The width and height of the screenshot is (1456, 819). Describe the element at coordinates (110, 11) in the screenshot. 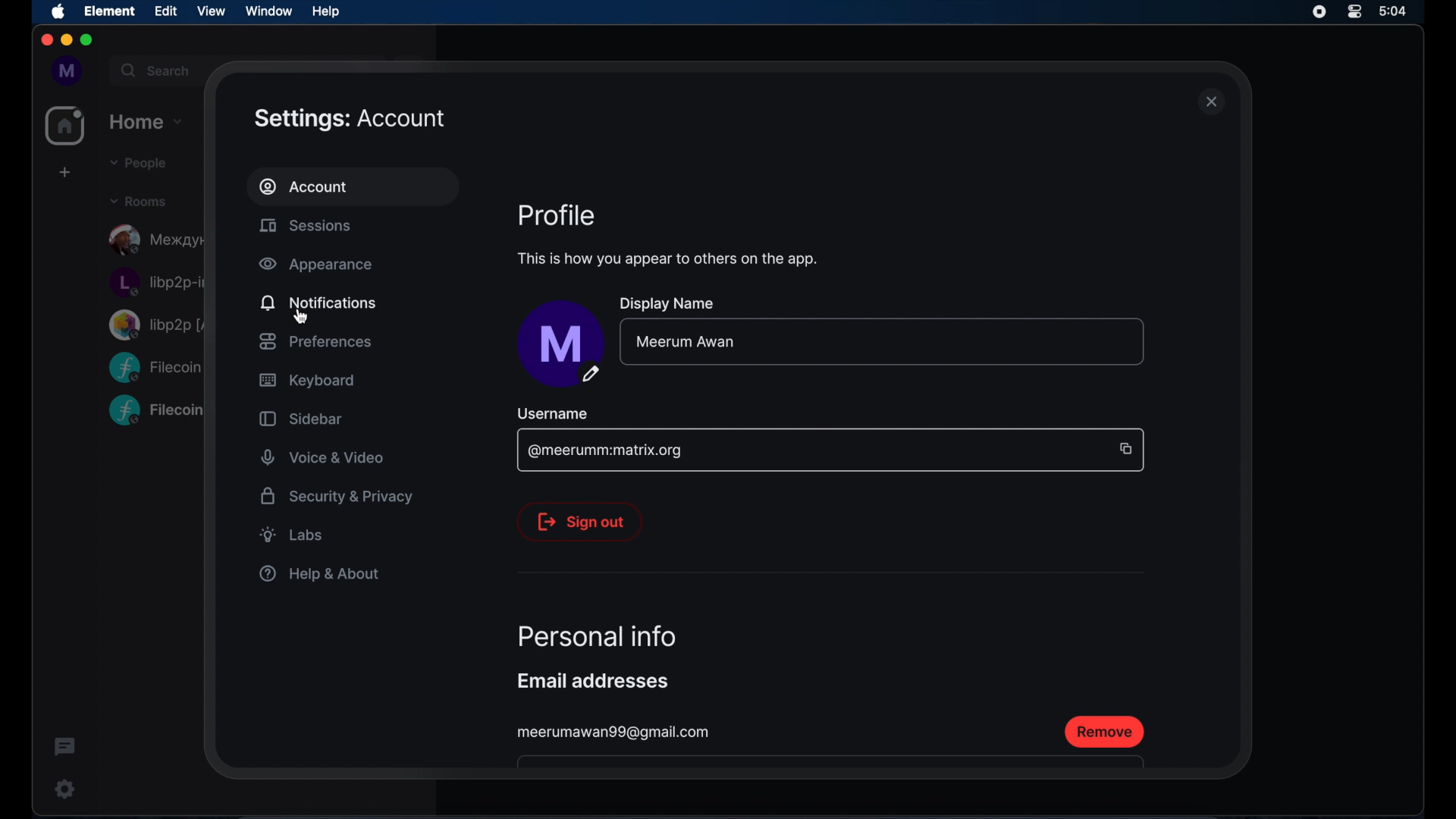

I see `element` at that location.